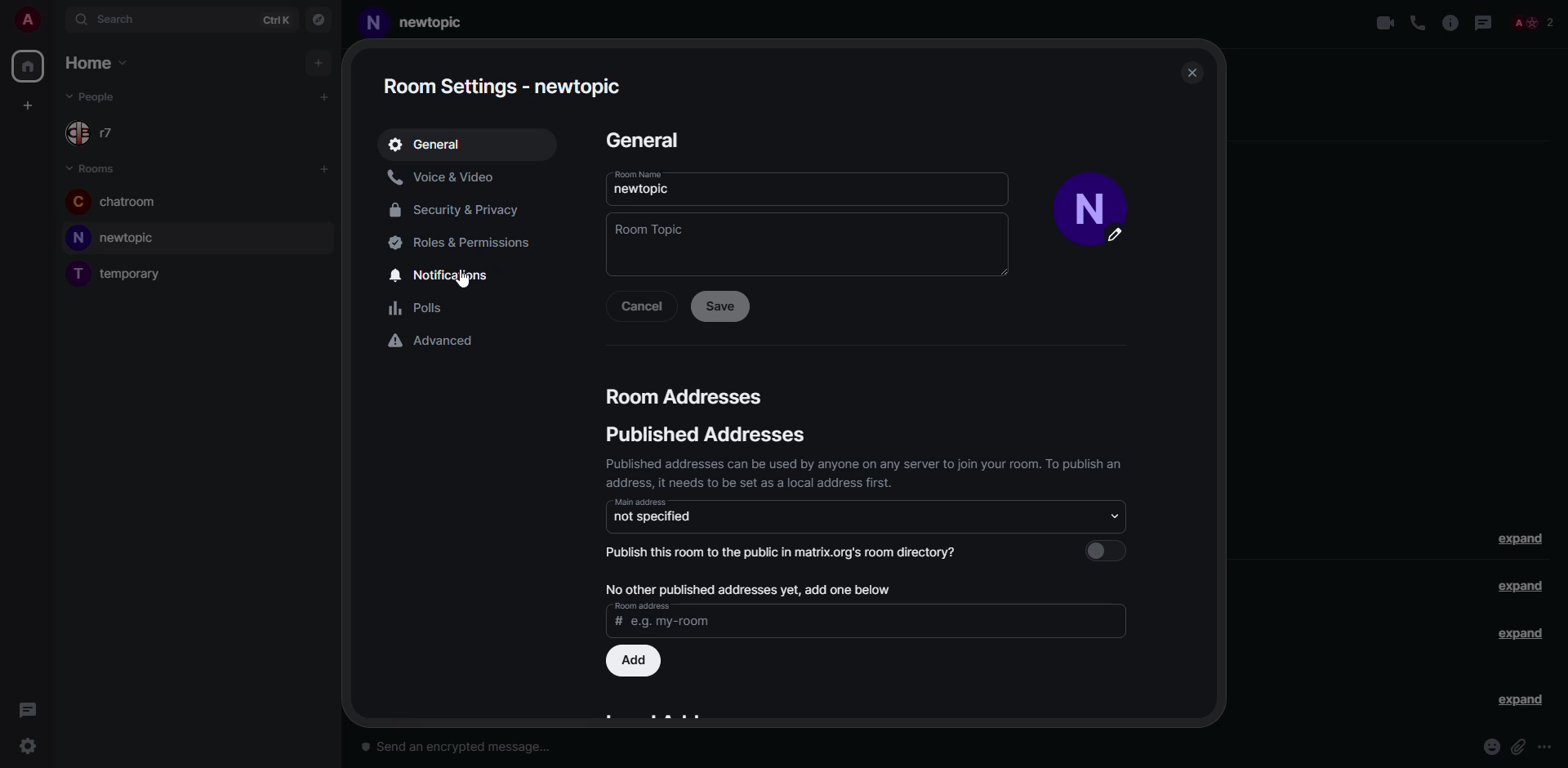 This screenshot has width=1568, height=768. Describe the element at coordinates (1521, 634) in the screenshot. I see `expand` at that location.